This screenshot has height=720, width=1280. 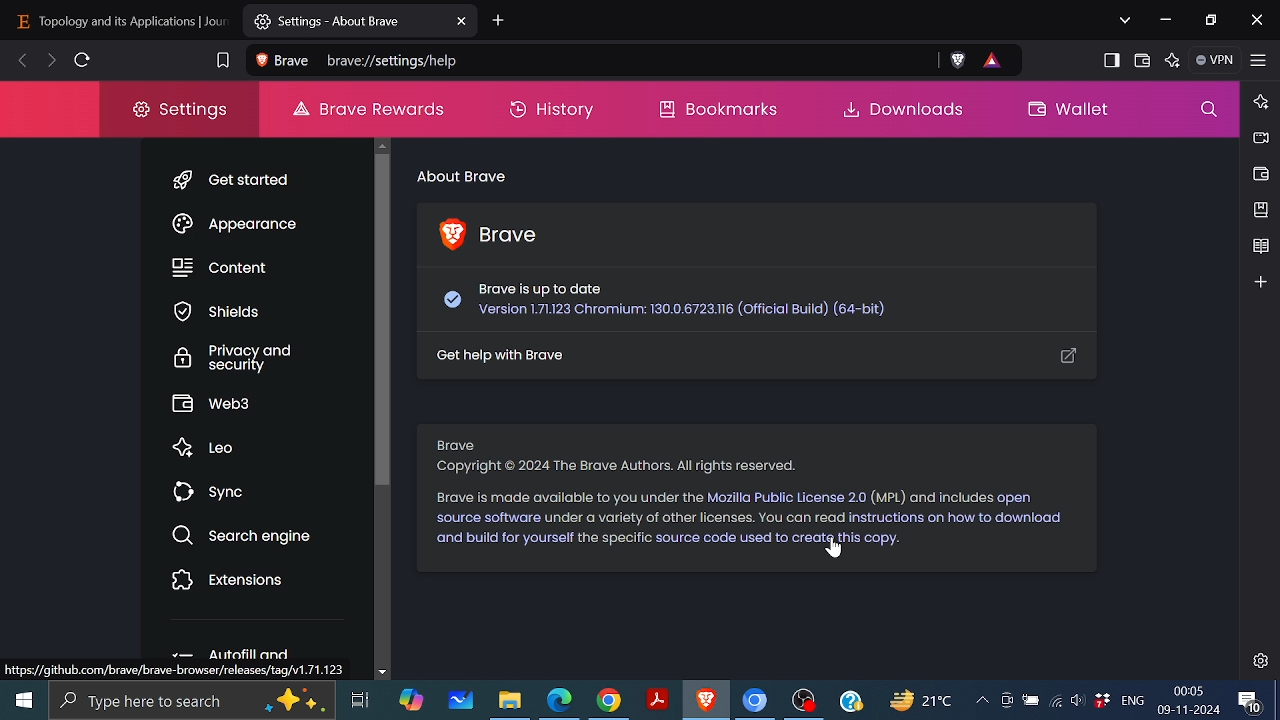 I want to click on Sidebar view, so click(x=1114, y=61).